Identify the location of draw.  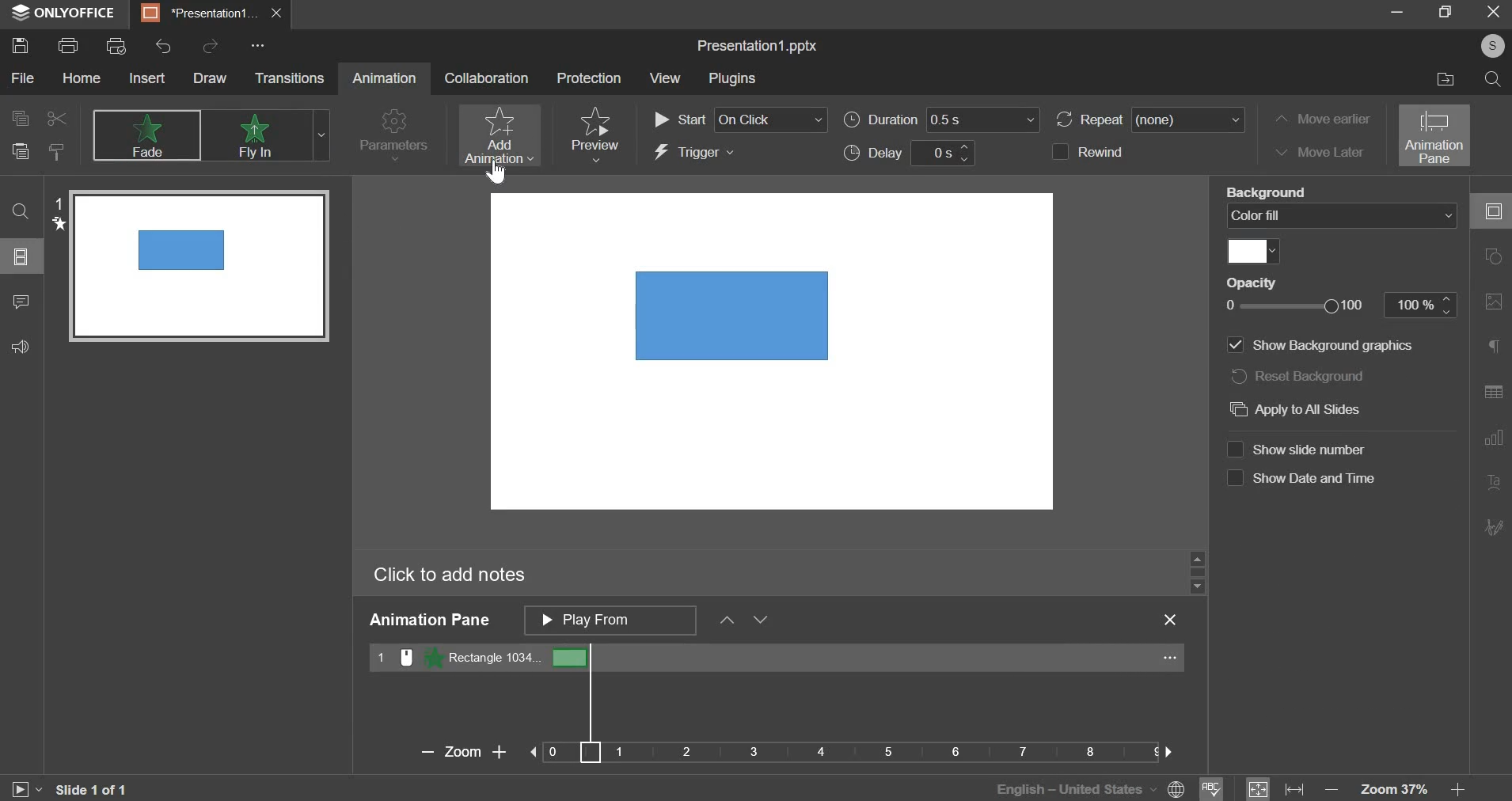
(215, 78).